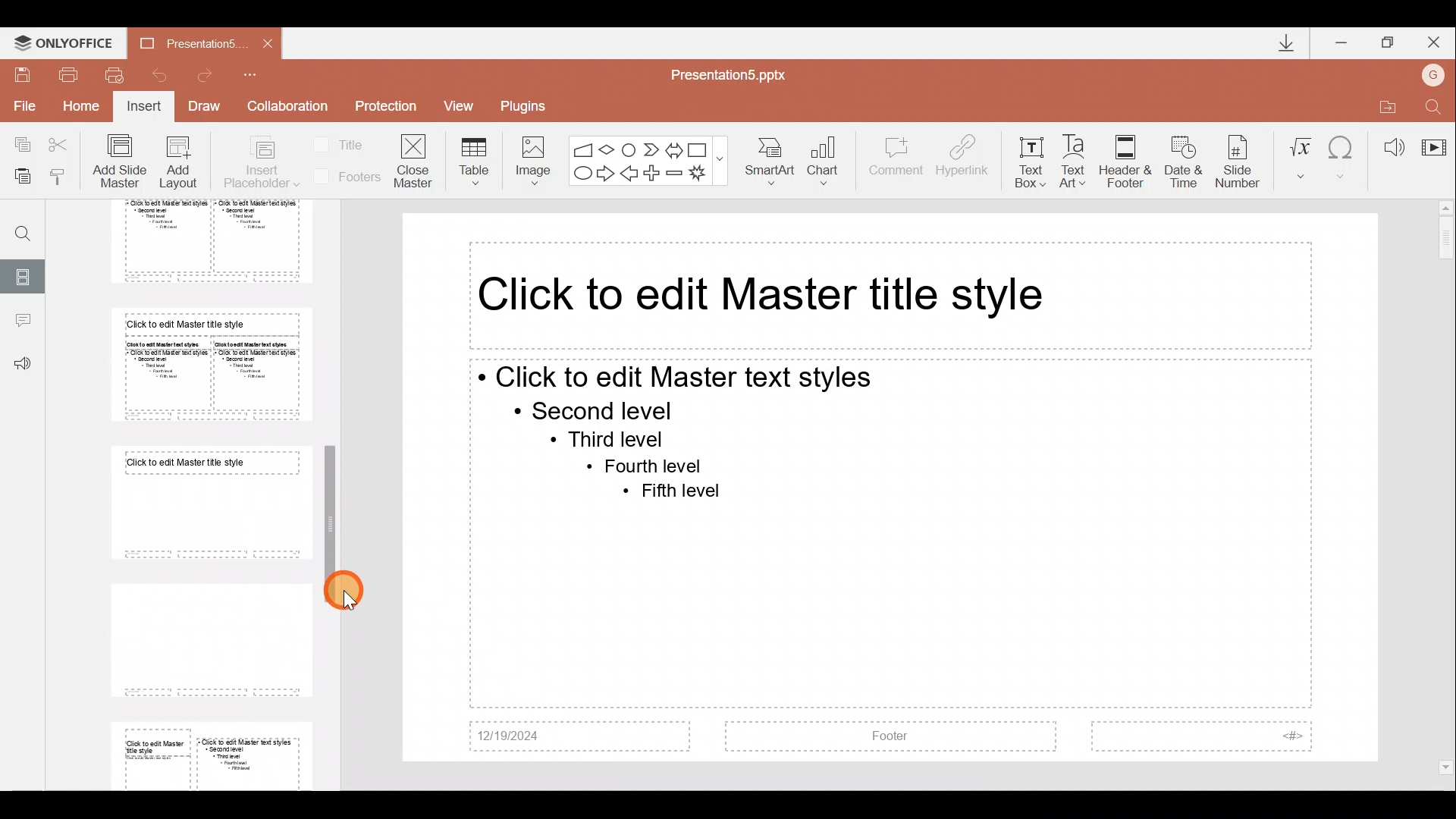 This screenshot has height=819, width=1456. I want to click on Chart, so click(833, 162).